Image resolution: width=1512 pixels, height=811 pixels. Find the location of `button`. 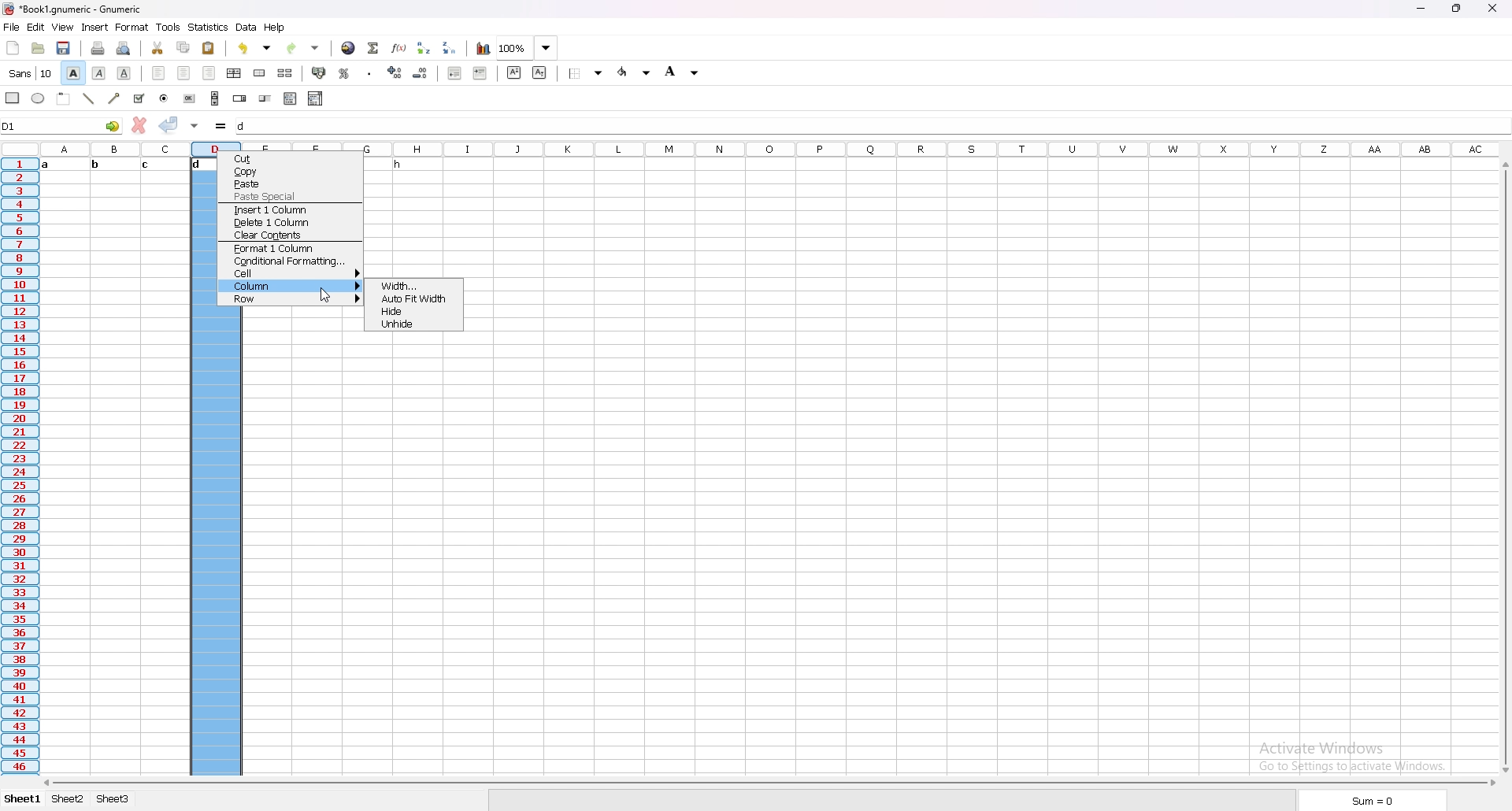

button is located at coordinates (190, 98).